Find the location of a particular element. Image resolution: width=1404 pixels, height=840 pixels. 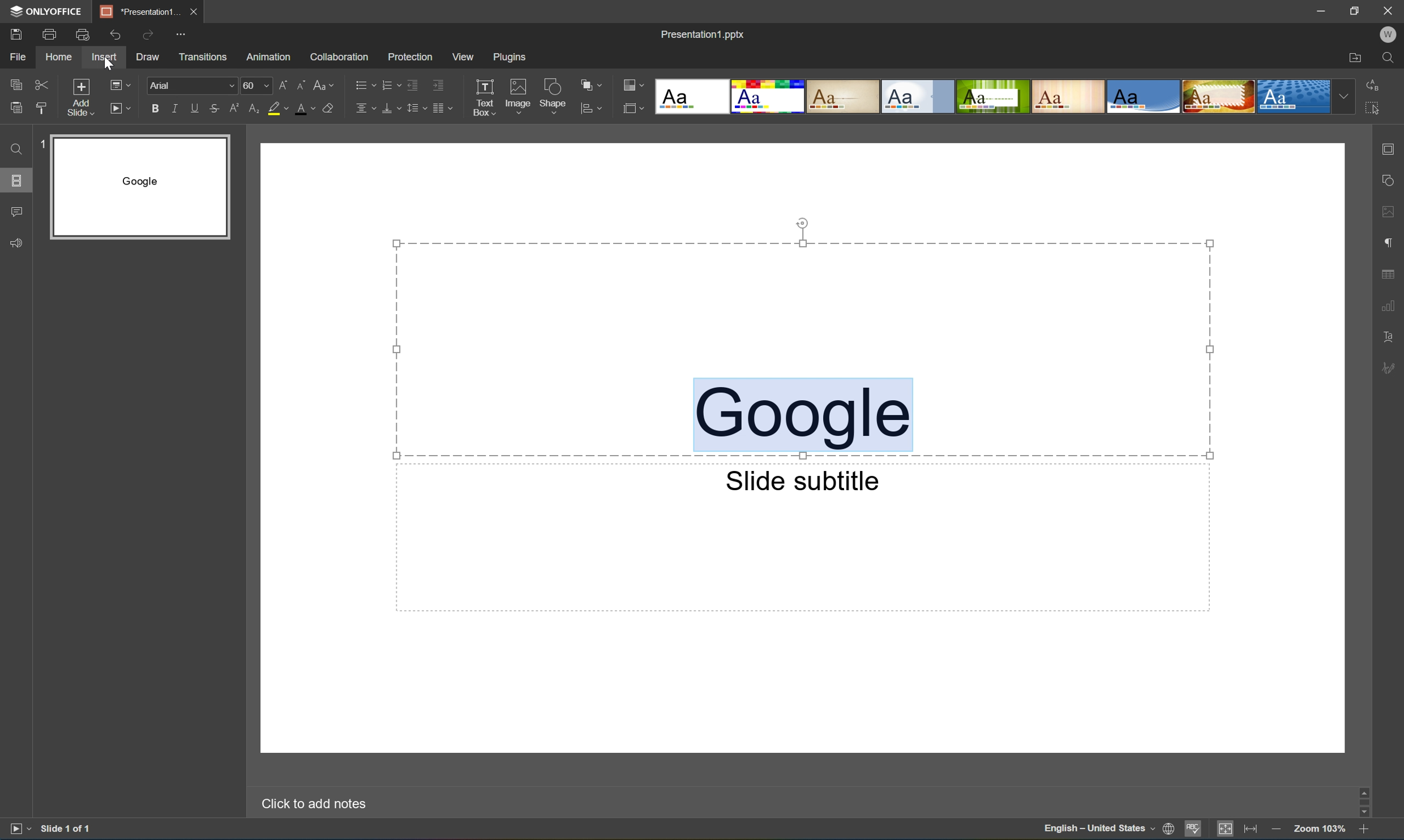

Undo is located at coordinates (115, 36).